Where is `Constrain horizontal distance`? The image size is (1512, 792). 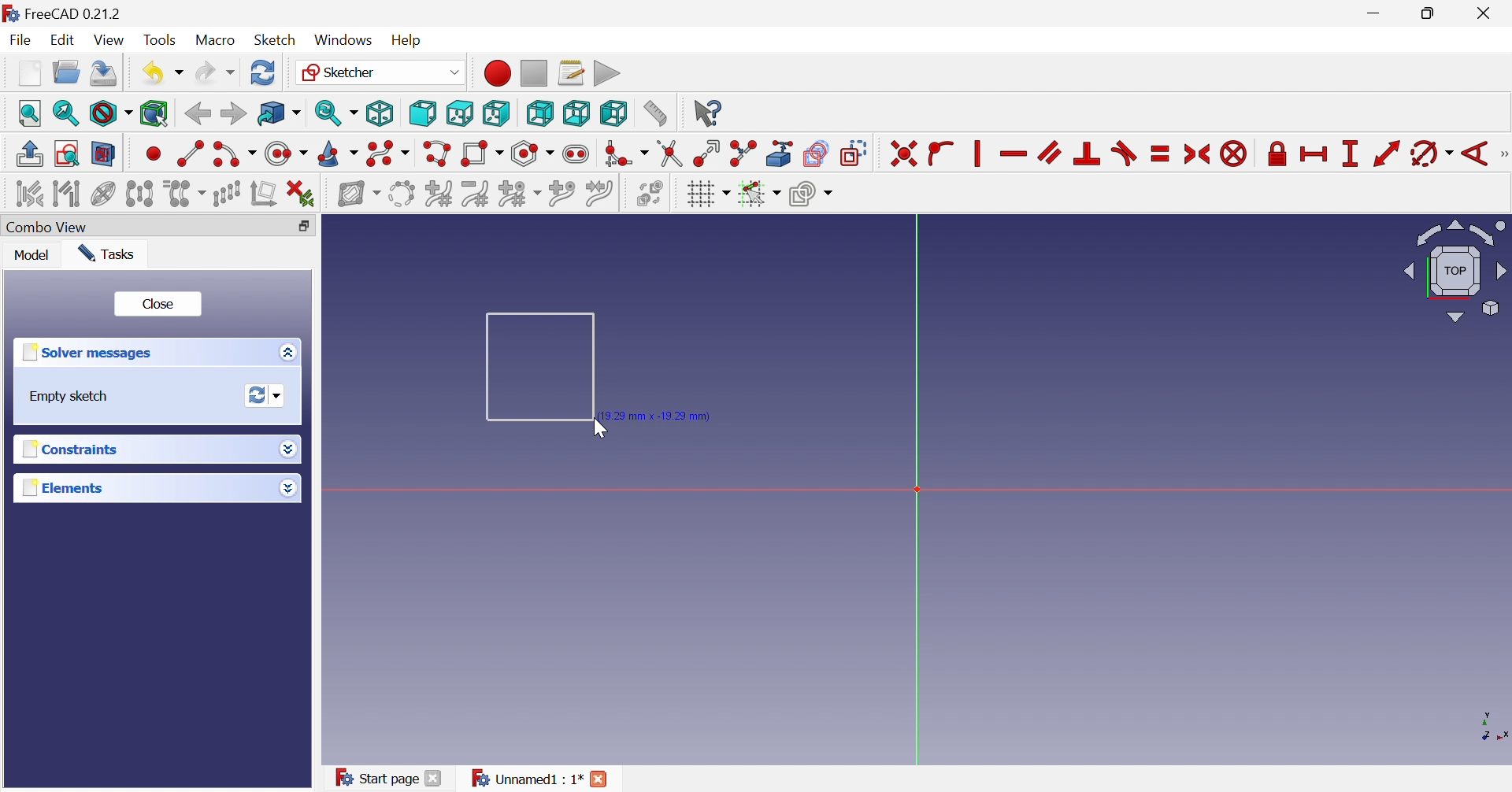
Constrain horizontal distance is located at coordinates (1314, 154).